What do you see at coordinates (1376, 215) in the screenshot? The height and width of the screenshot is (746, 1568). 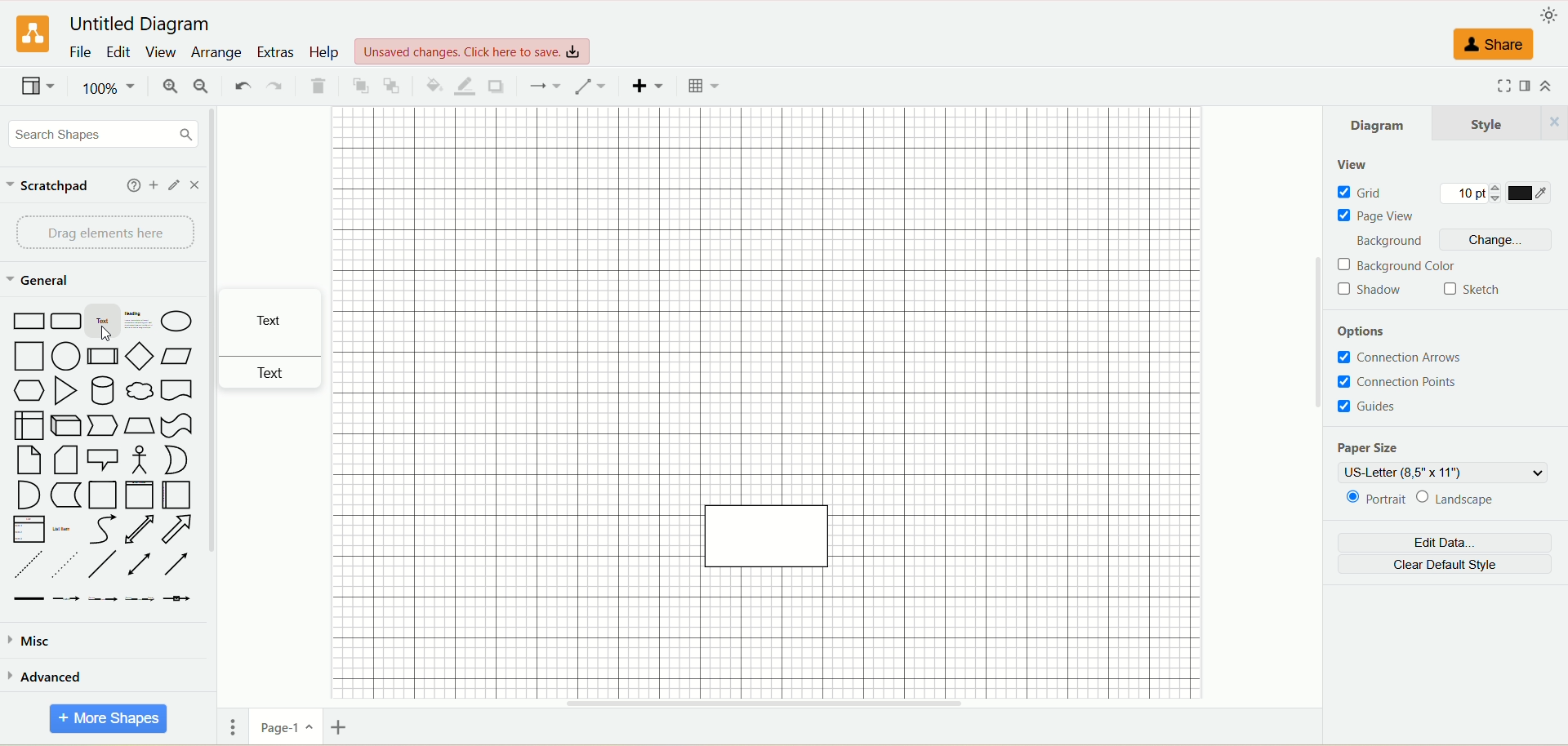 I see `page view` at bounding box center [1376, 215].